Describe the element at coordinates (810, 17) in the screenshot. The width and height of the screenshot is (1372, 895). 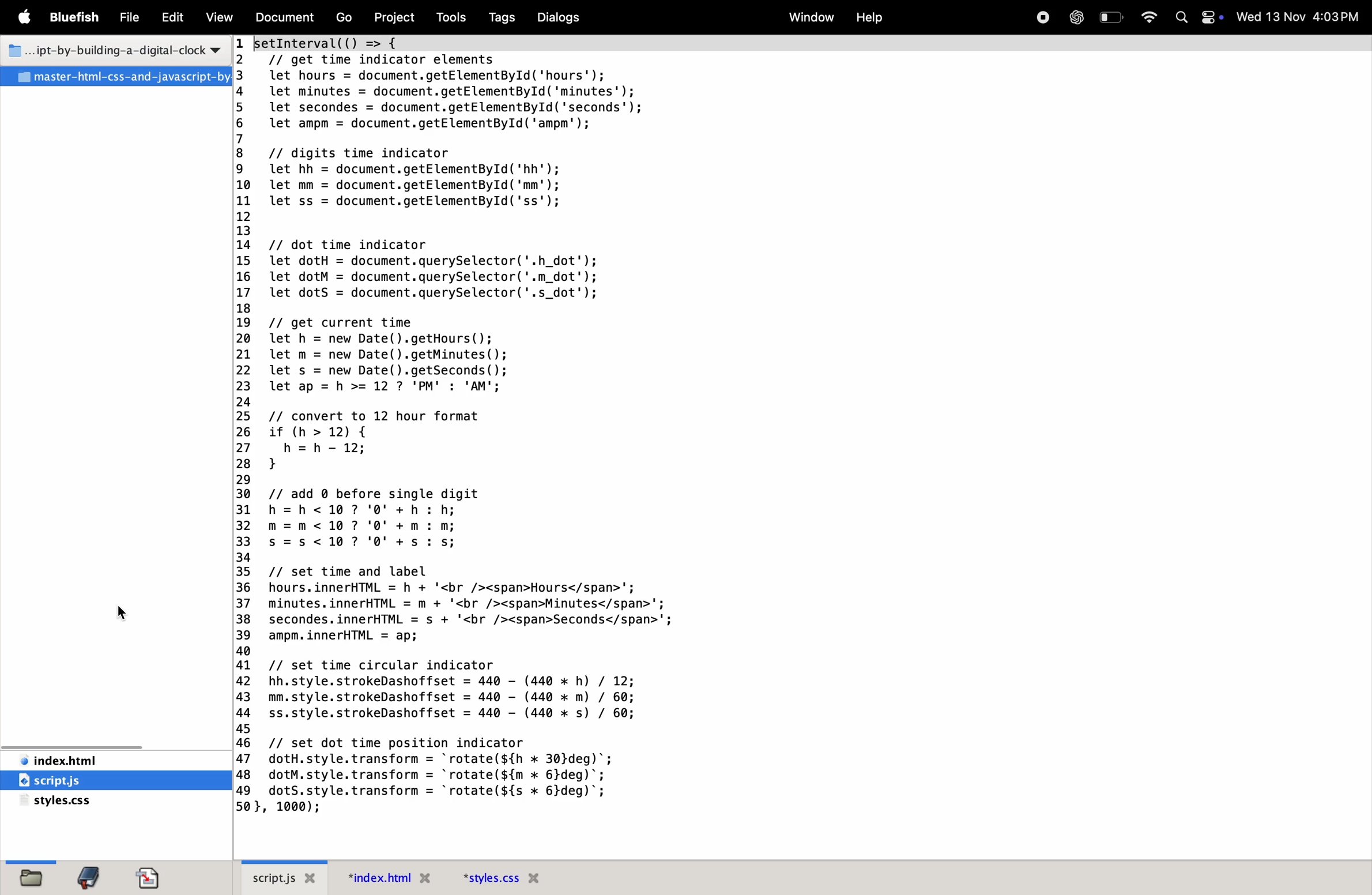
I see `window` at that location.